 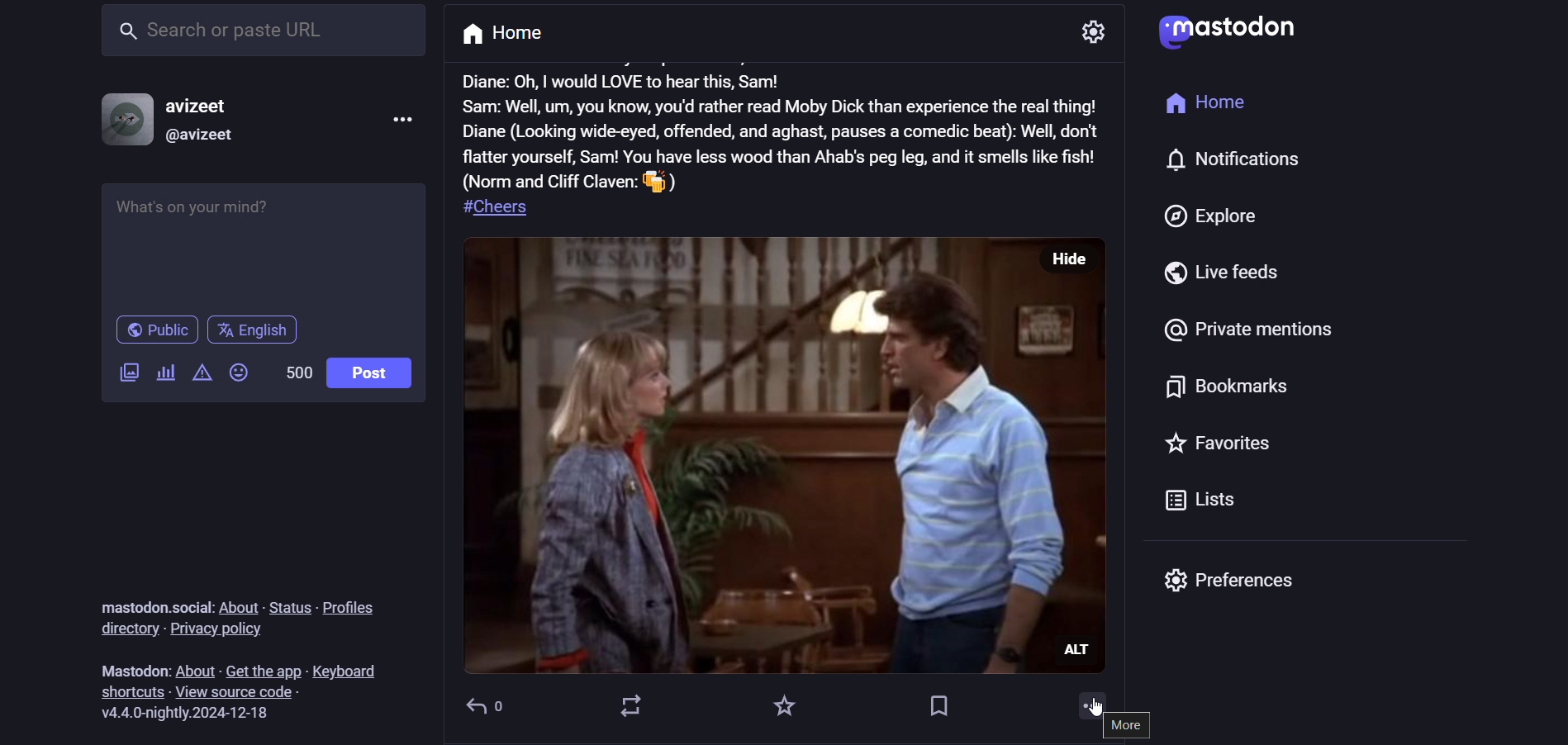 What do you see at coordinates (490, 705) in the screenshot?
I see `reply` at bounding box center [490, 705].